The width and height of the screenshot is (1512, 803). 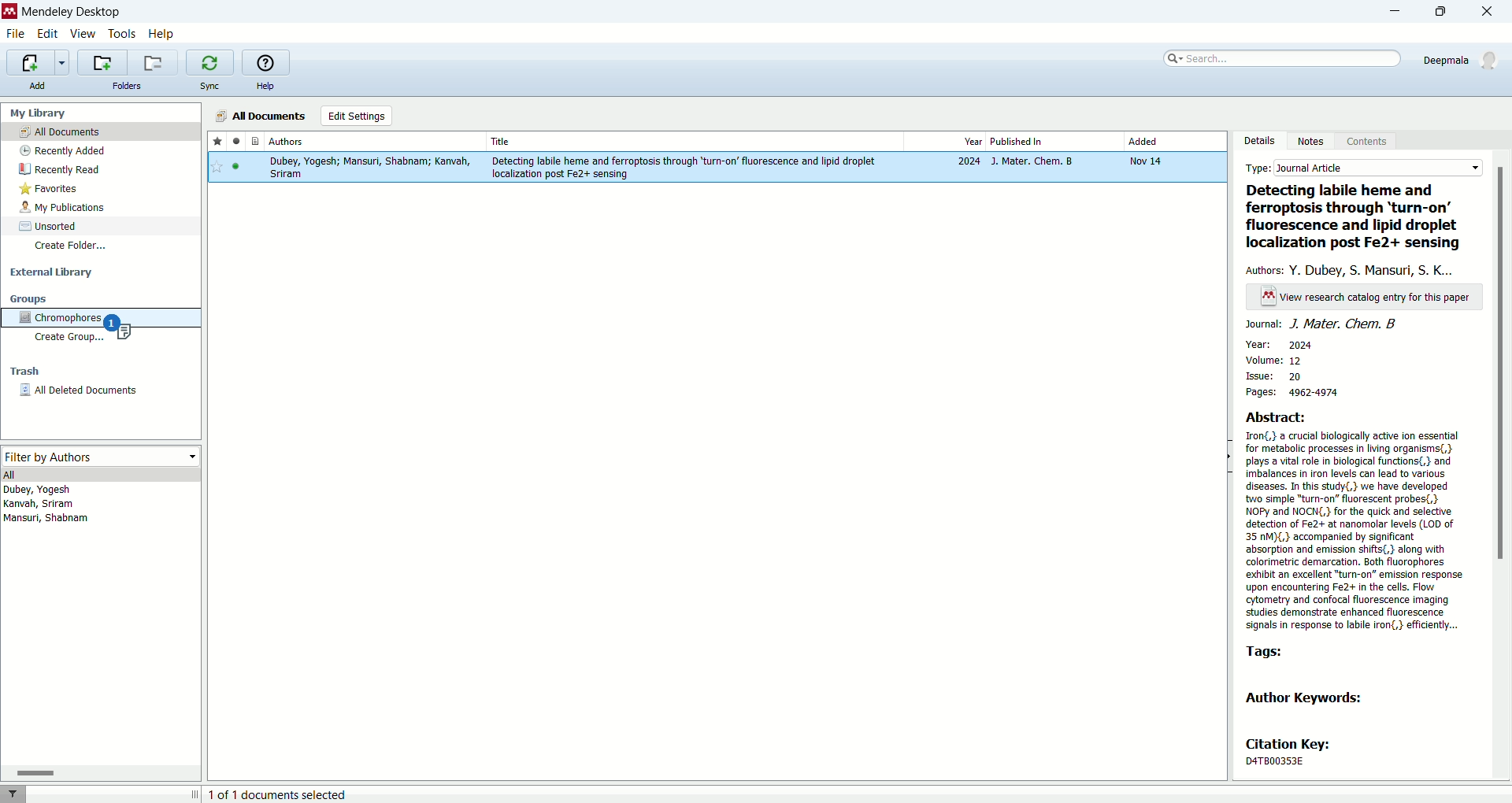 What do you see at coordinates (29, 298) in the screenshot?
I see `groups` at bounding box center [29, 298].